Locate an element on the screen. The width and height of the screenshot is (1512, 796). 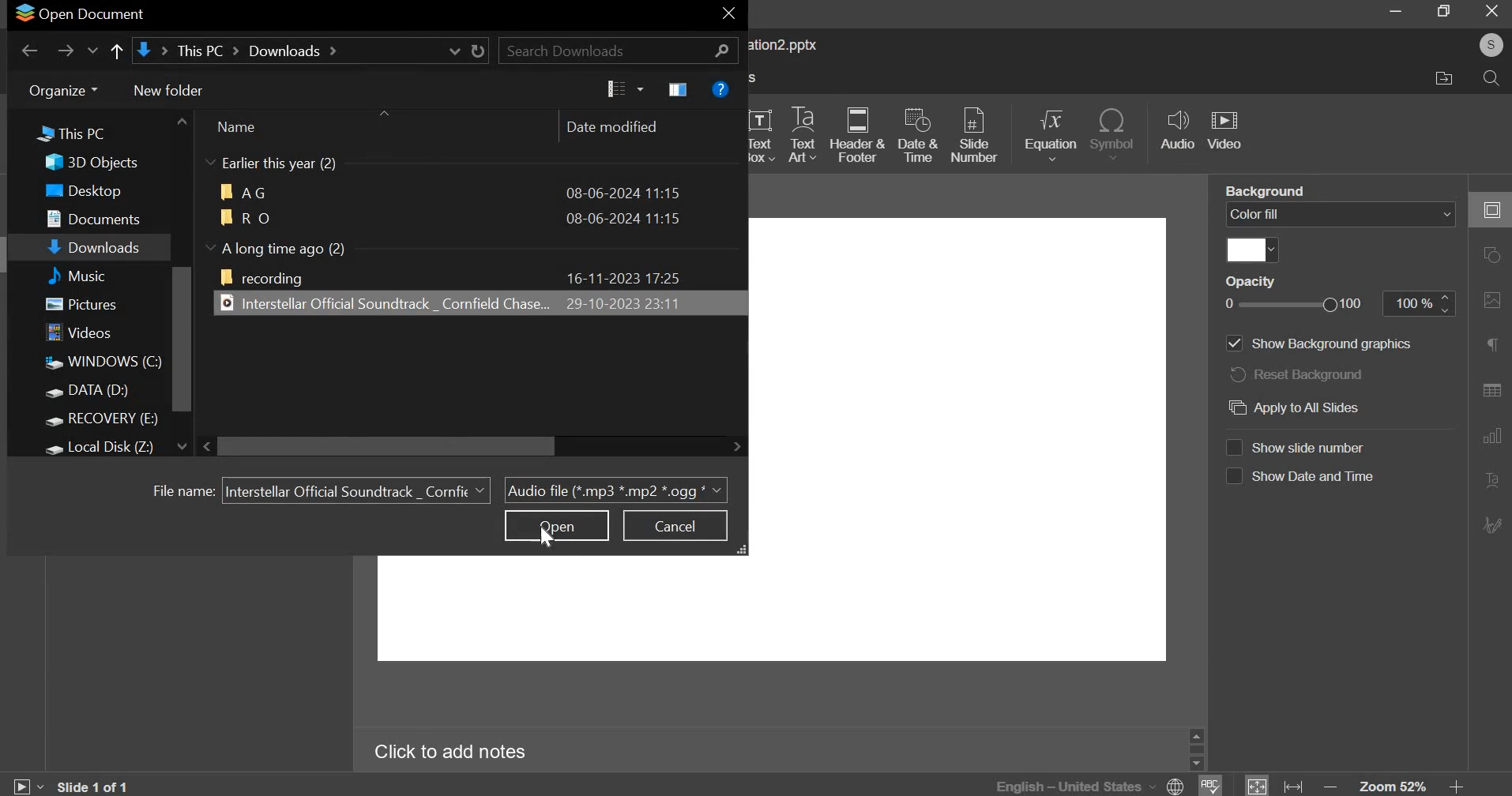
show/hide is located at coordinates (211, 162).